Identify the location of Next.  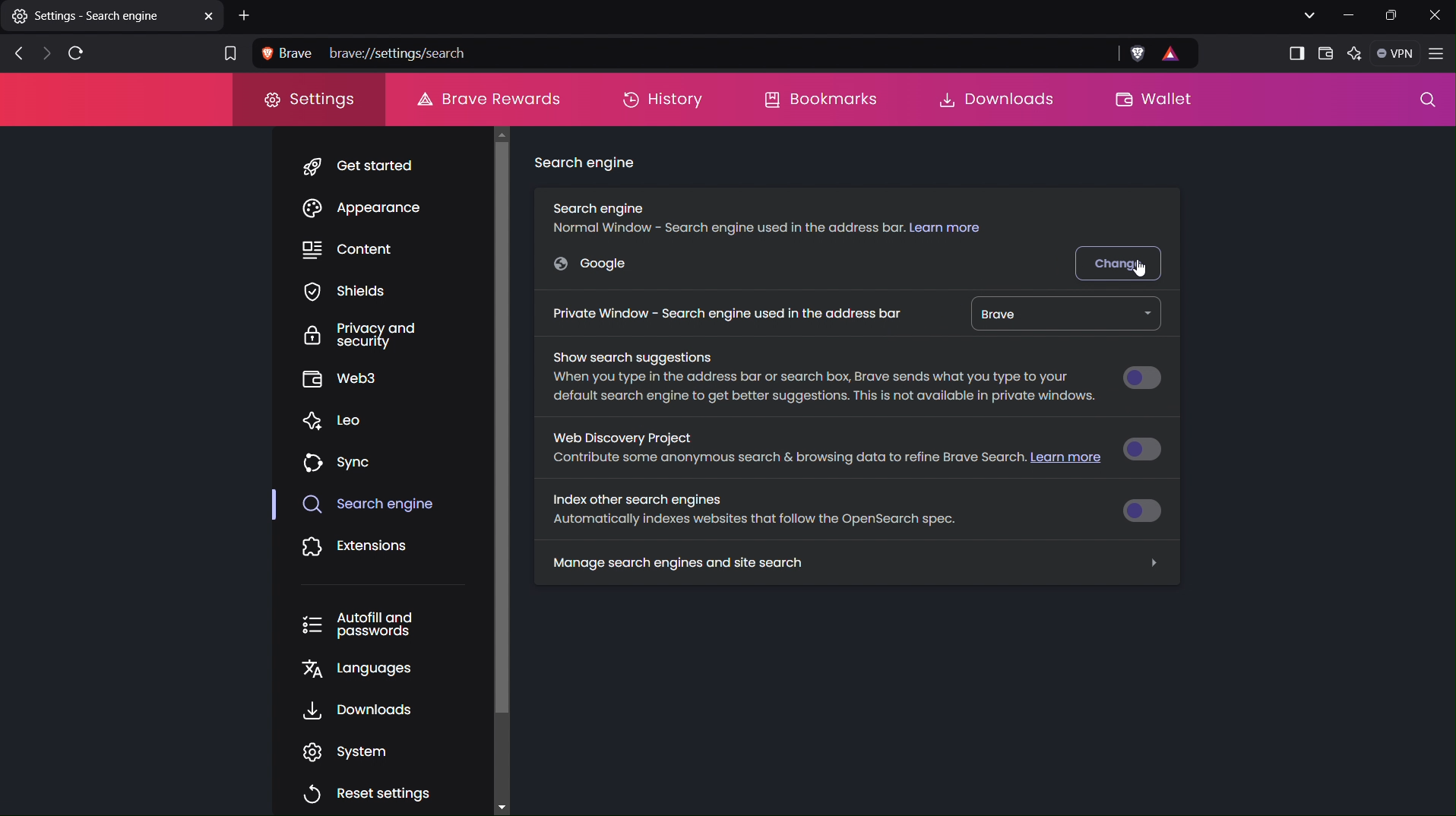
(43, 55).